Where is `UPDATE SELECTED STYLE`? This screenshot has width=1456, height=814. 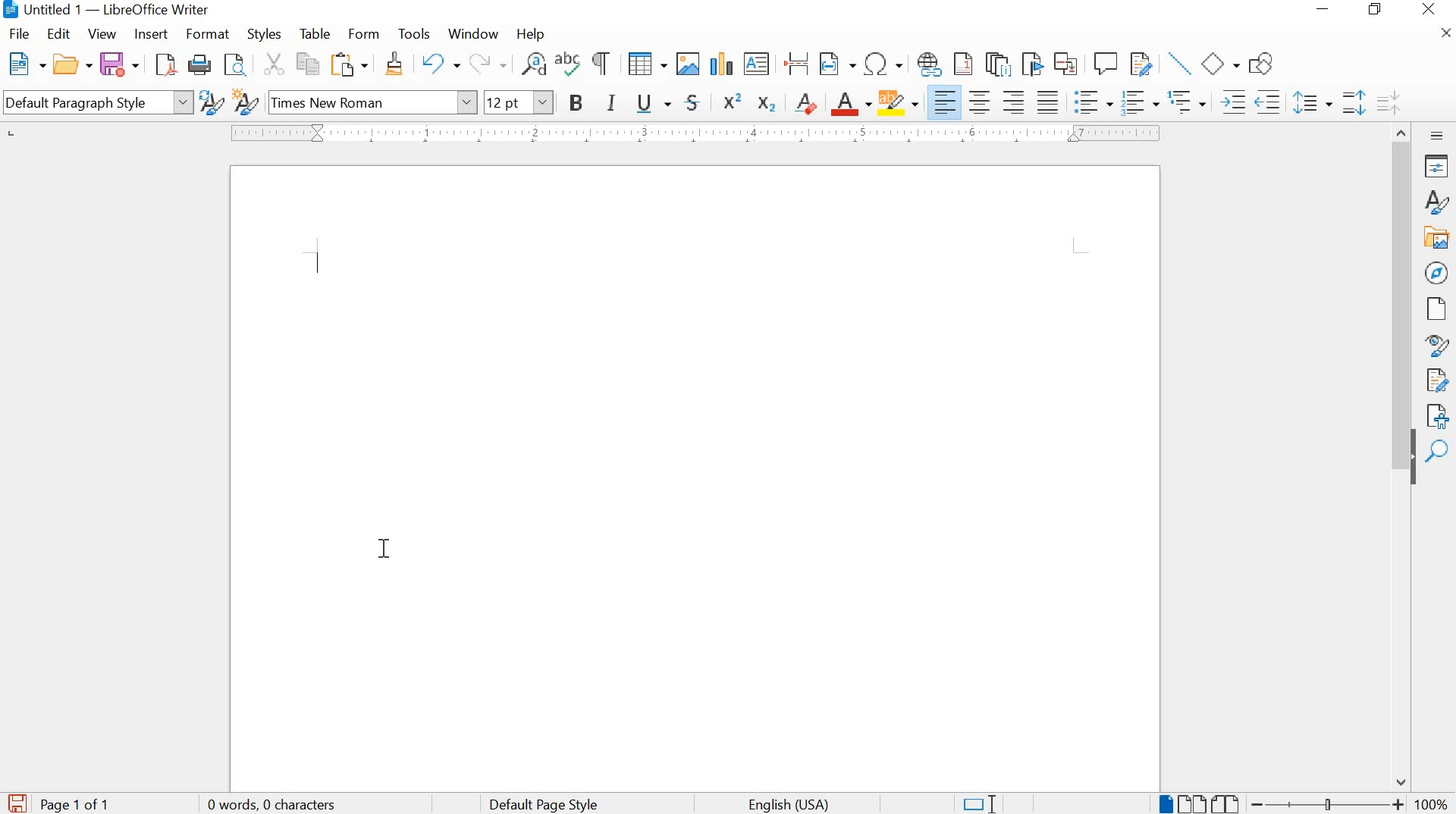
UPDATE SELECTED STYLE is located at coordinates (210, 102).